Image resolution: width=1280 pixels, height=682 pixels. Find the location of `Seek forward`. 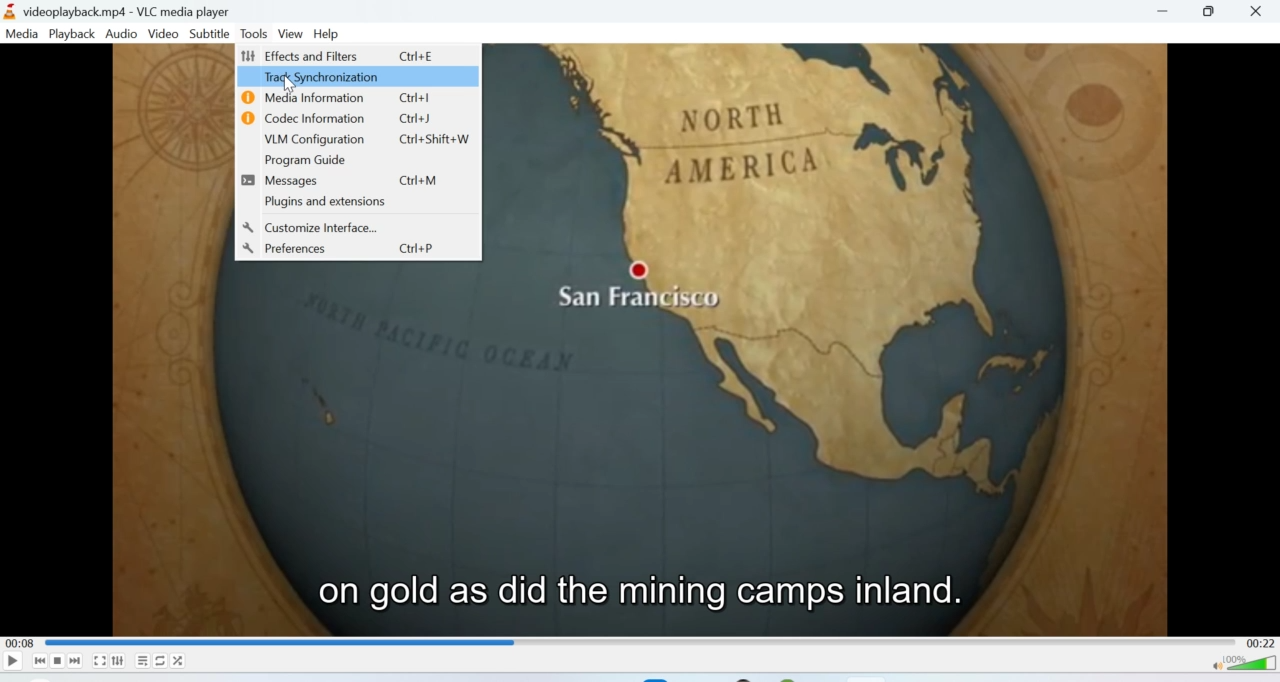

Seek forward is located at coordinates (76, 661).